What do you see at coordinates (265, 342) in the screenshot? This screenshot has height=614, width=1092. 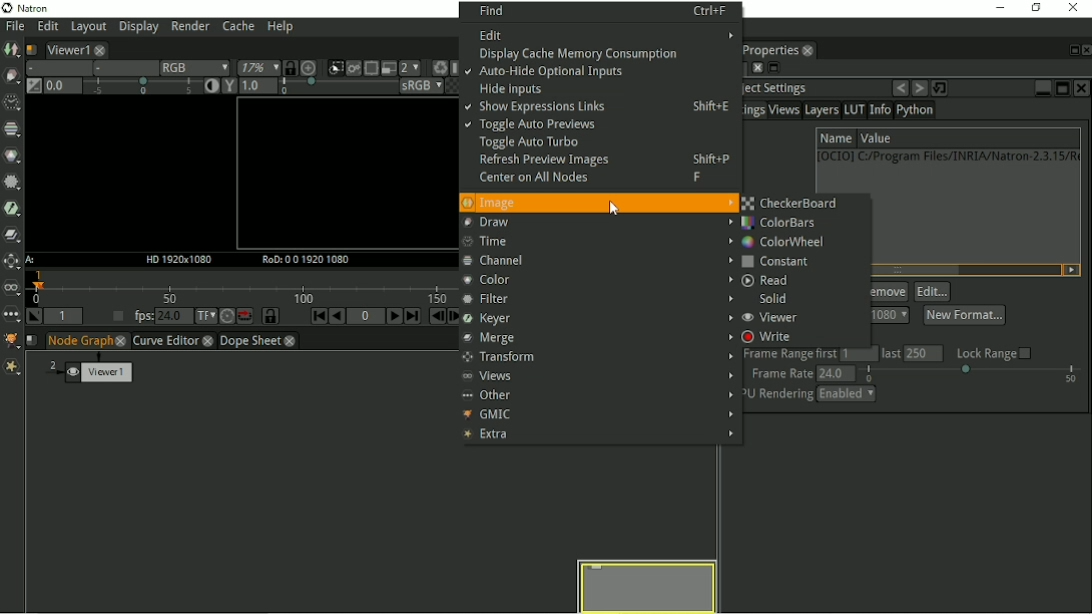 I see `Dope sheet` at bounding box center [265, 342].